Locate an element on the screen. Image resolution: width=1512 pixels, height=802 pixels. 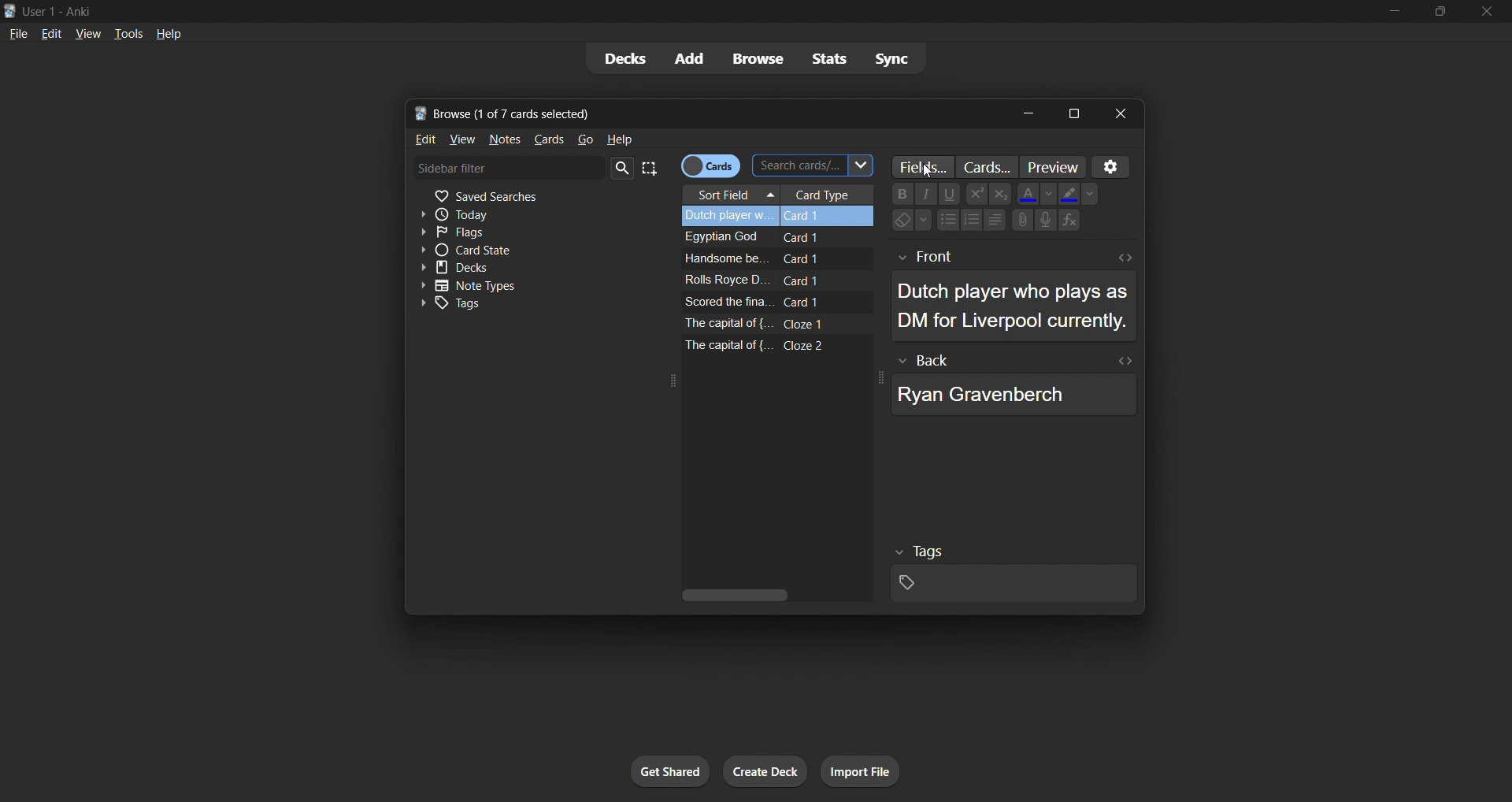
get shared is located at coordinates (660, 772).